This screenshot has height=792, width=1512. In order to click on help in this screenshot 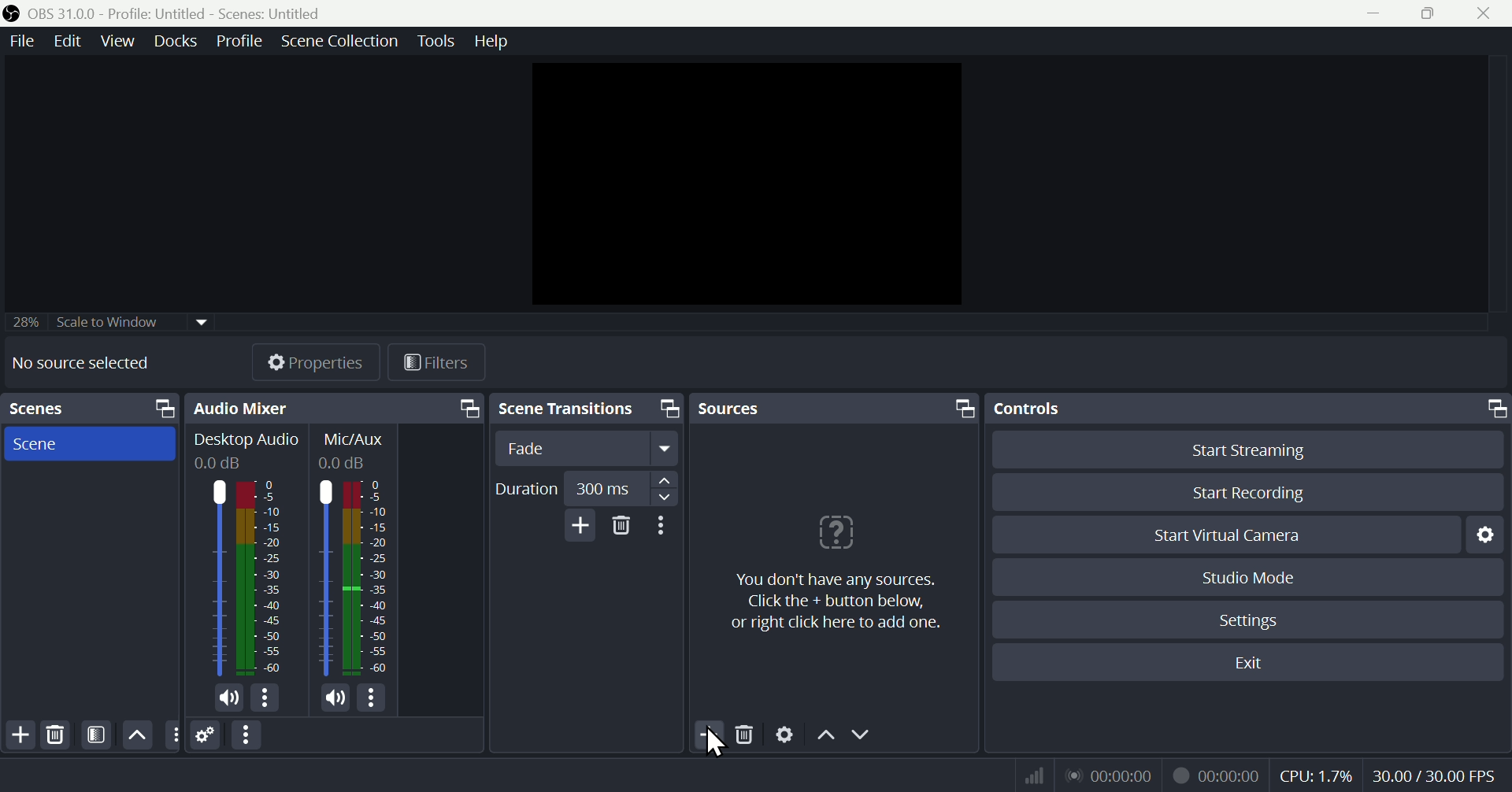, I will do `click(491, 41)`.